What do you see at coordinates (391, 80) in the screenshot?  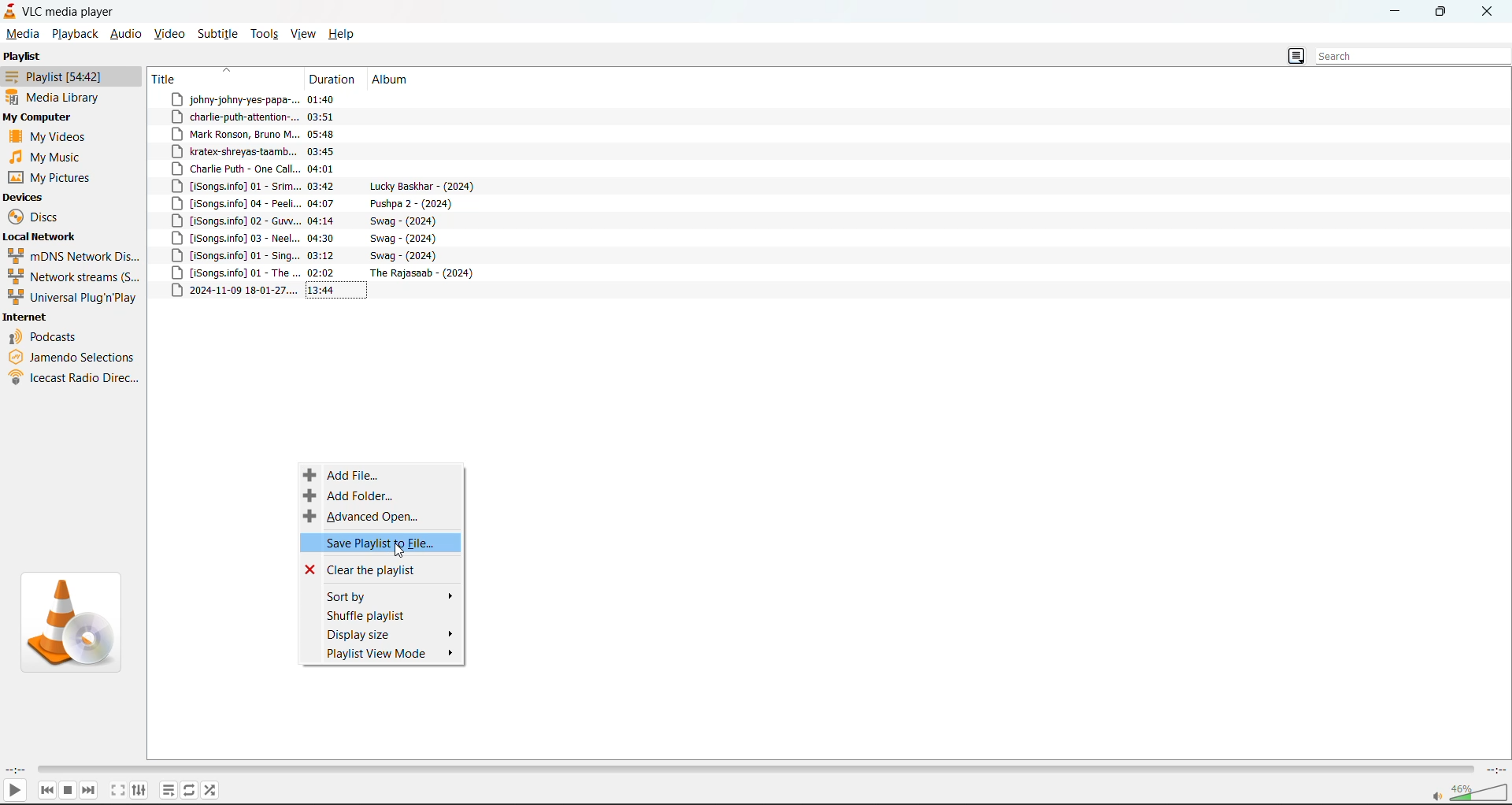 I see `album` at bounding box center [391, 80].